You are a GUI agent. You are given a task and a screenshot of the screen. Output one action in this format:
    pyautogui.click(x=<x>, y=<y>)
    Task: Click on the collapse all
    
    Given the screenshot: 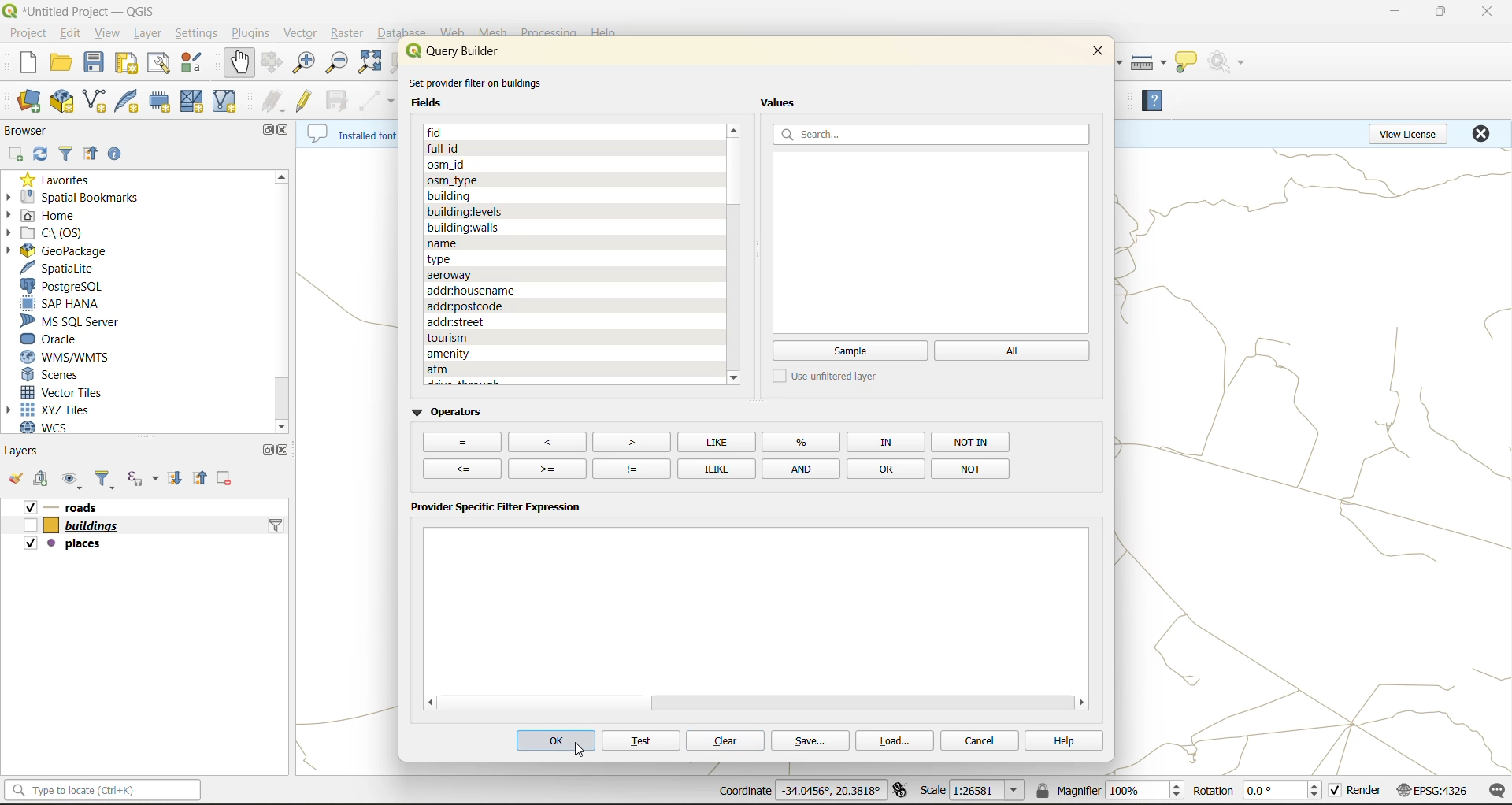 What is the action you would take?
    pyautogui.click(x=92, y=154)
    